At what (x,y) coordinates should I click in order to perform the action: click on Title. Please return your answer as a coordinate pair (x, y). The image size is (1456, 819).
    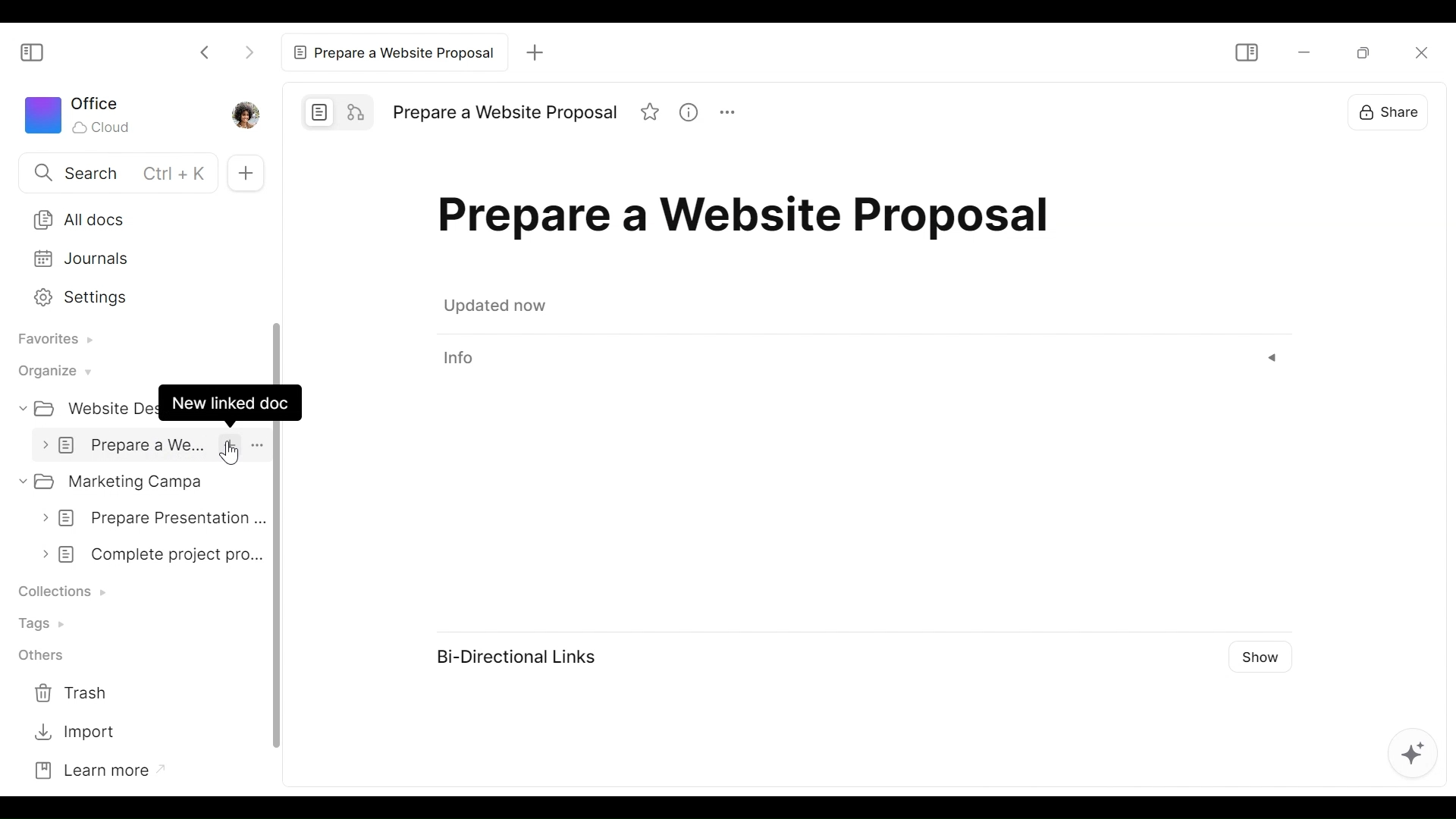
    Looking at the image, I should click on (507, 111).